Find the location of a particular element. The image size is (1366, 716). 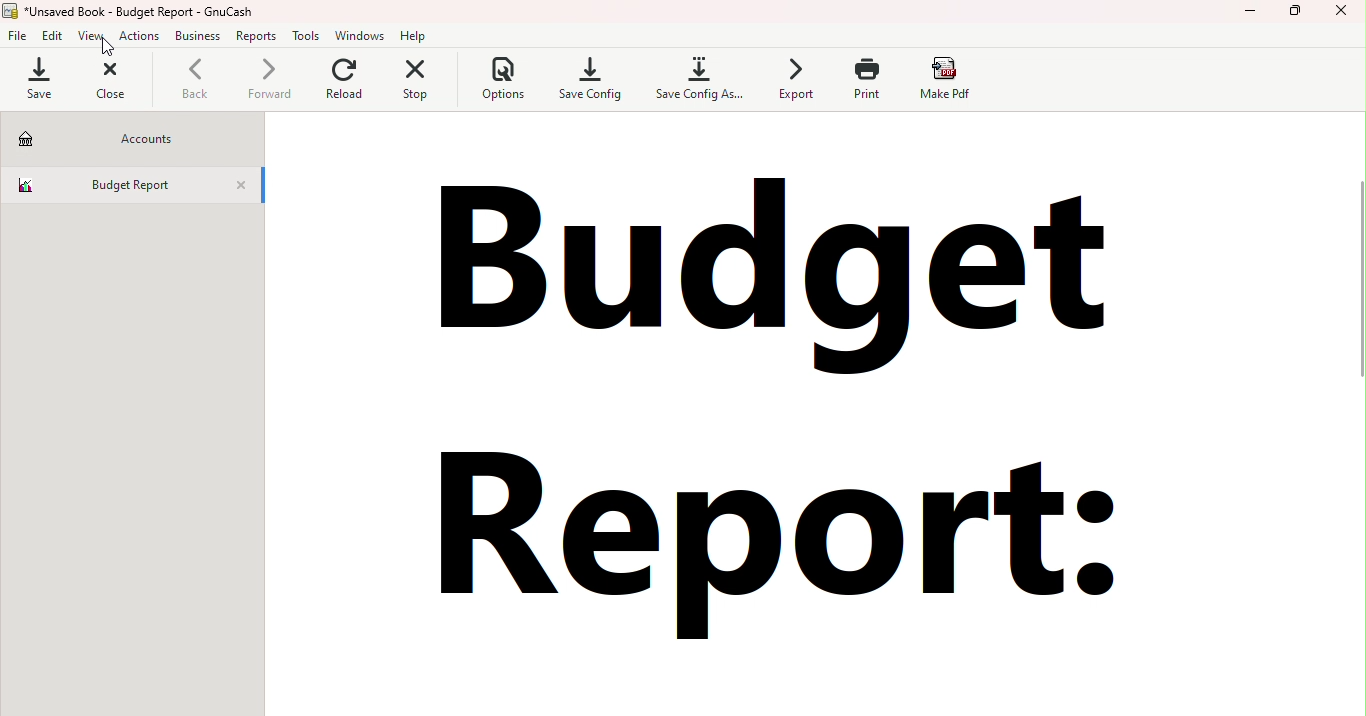

Export is located at coordinates (792, 81).